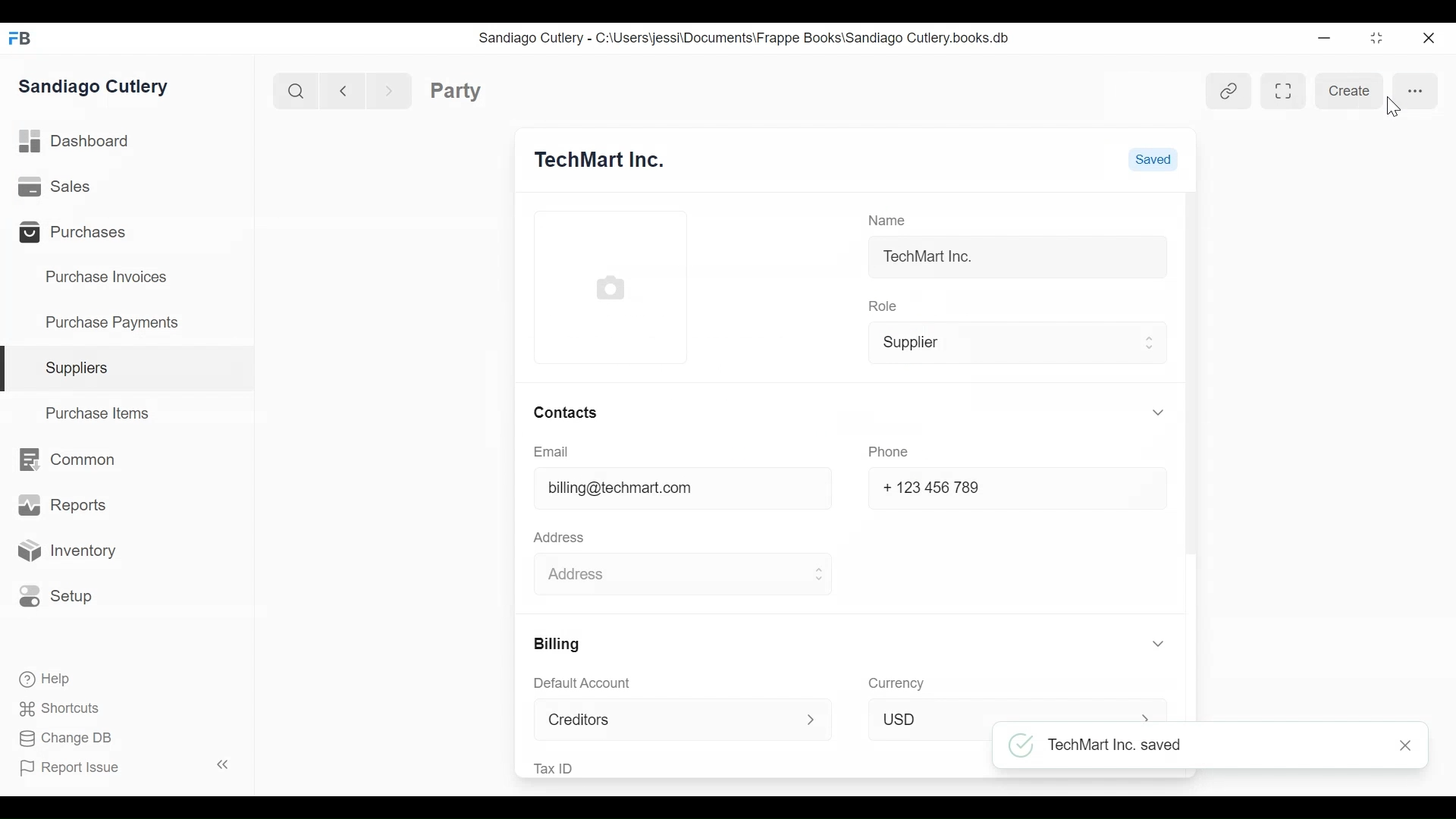  Describe the element at coordinates (566, 410) in the screenshot. I see `Contacts` at that location.